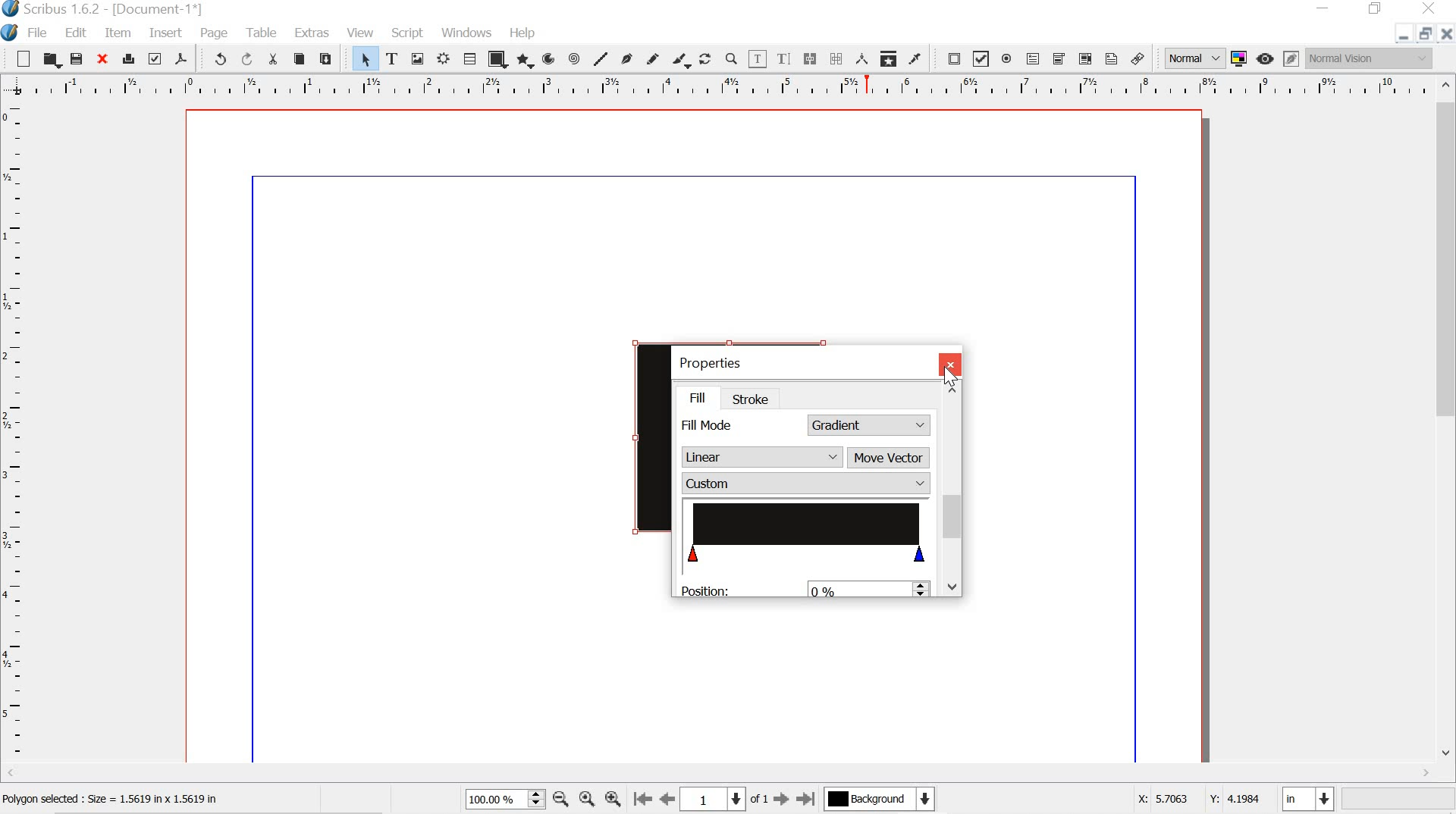  I want to click on edit text with story editor, so click(786, 59).